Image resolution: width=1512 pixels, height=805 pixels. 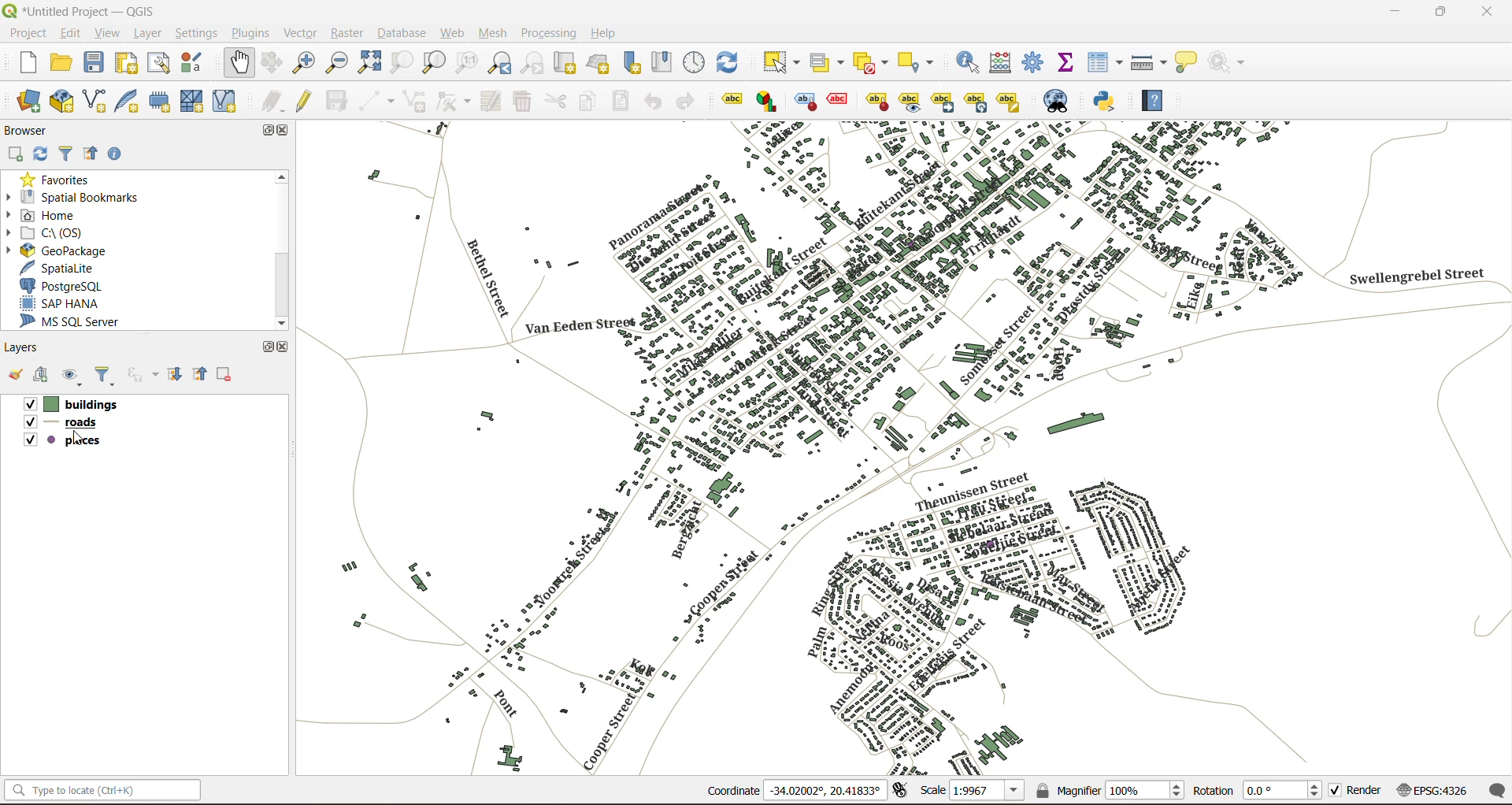 What do you see at coordinates (24, 103) in the screenshot?
I see `open data source manager` at bounding box center [24, 103].